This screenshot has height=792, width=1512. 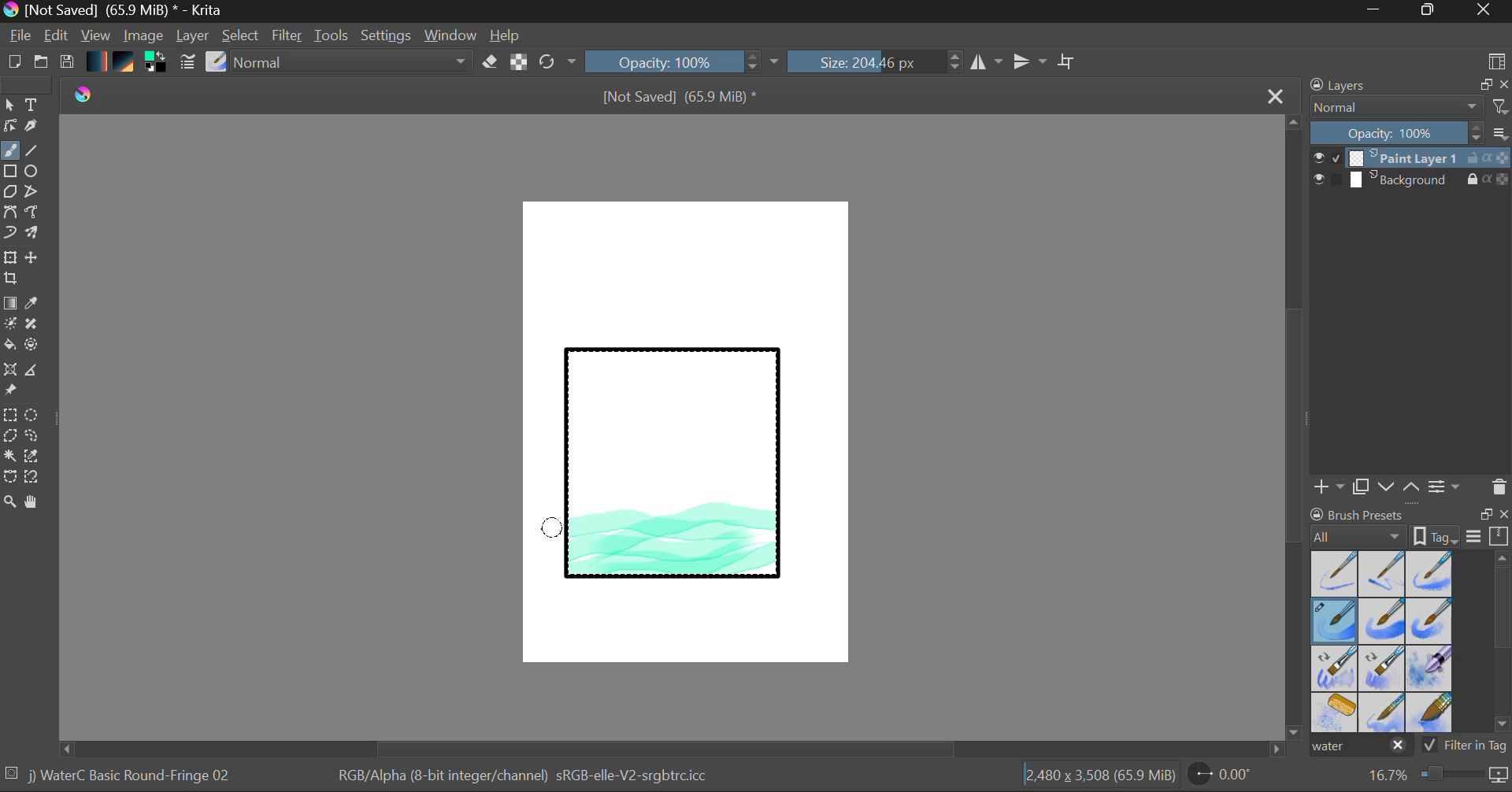 I want to click on Delete Layer, so click(x=1499, y=487).